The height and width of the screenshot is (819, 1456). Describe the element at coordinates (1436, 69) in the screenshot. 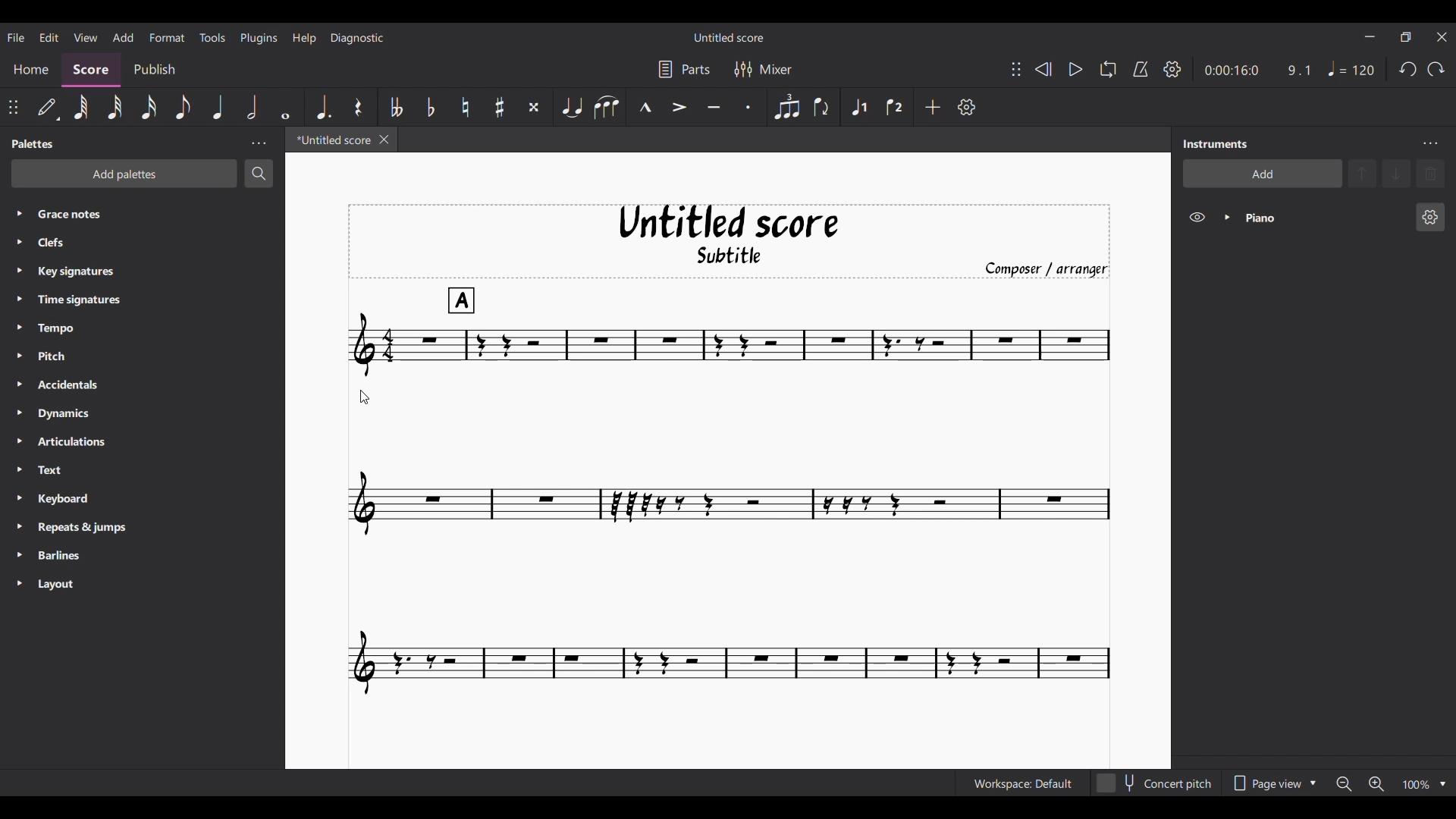

I see `Redo` at that location.